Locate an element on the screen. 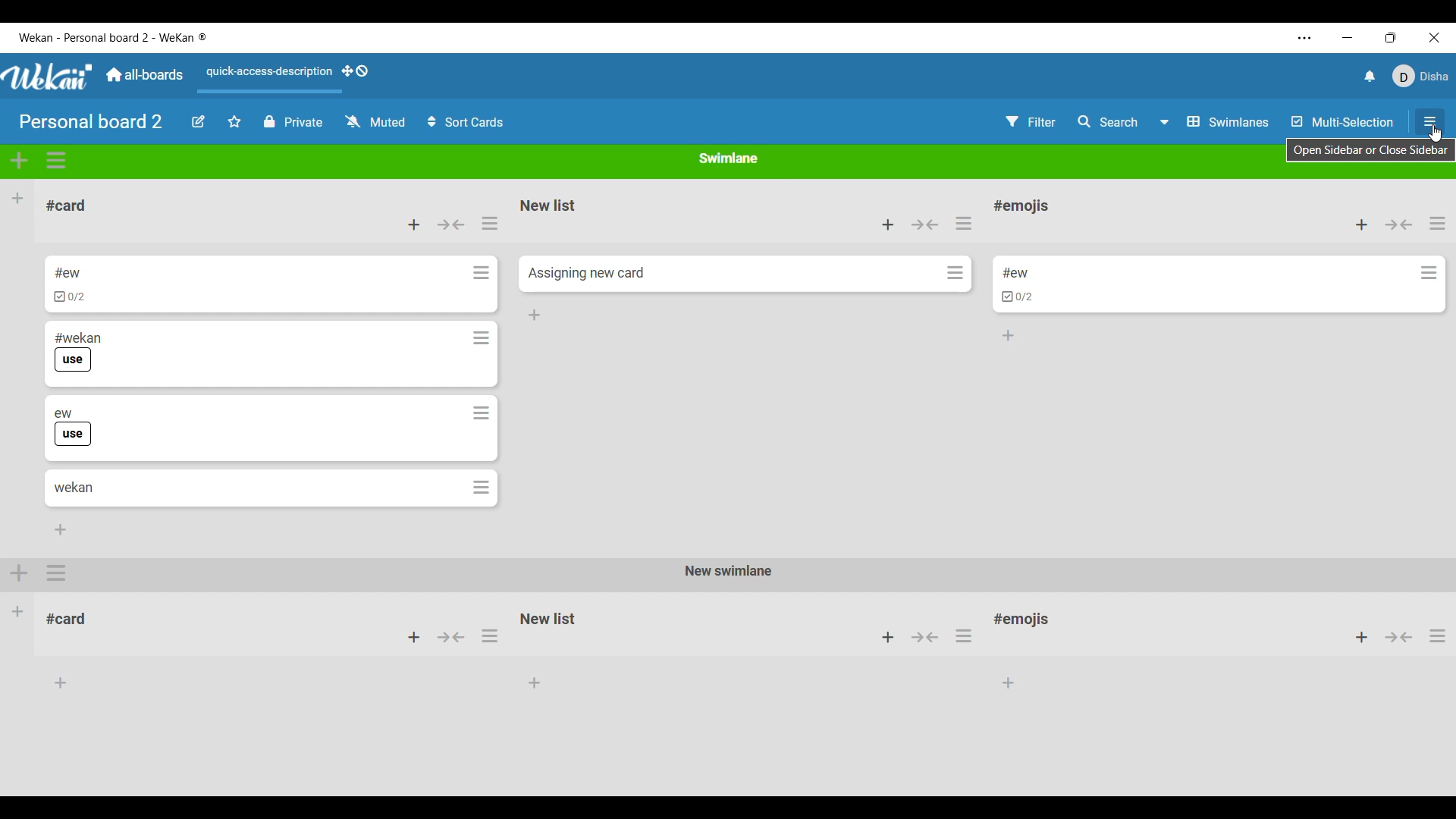 This screenshot has height=819, width=1456. Card title and label is located at coordinates (72, 427).